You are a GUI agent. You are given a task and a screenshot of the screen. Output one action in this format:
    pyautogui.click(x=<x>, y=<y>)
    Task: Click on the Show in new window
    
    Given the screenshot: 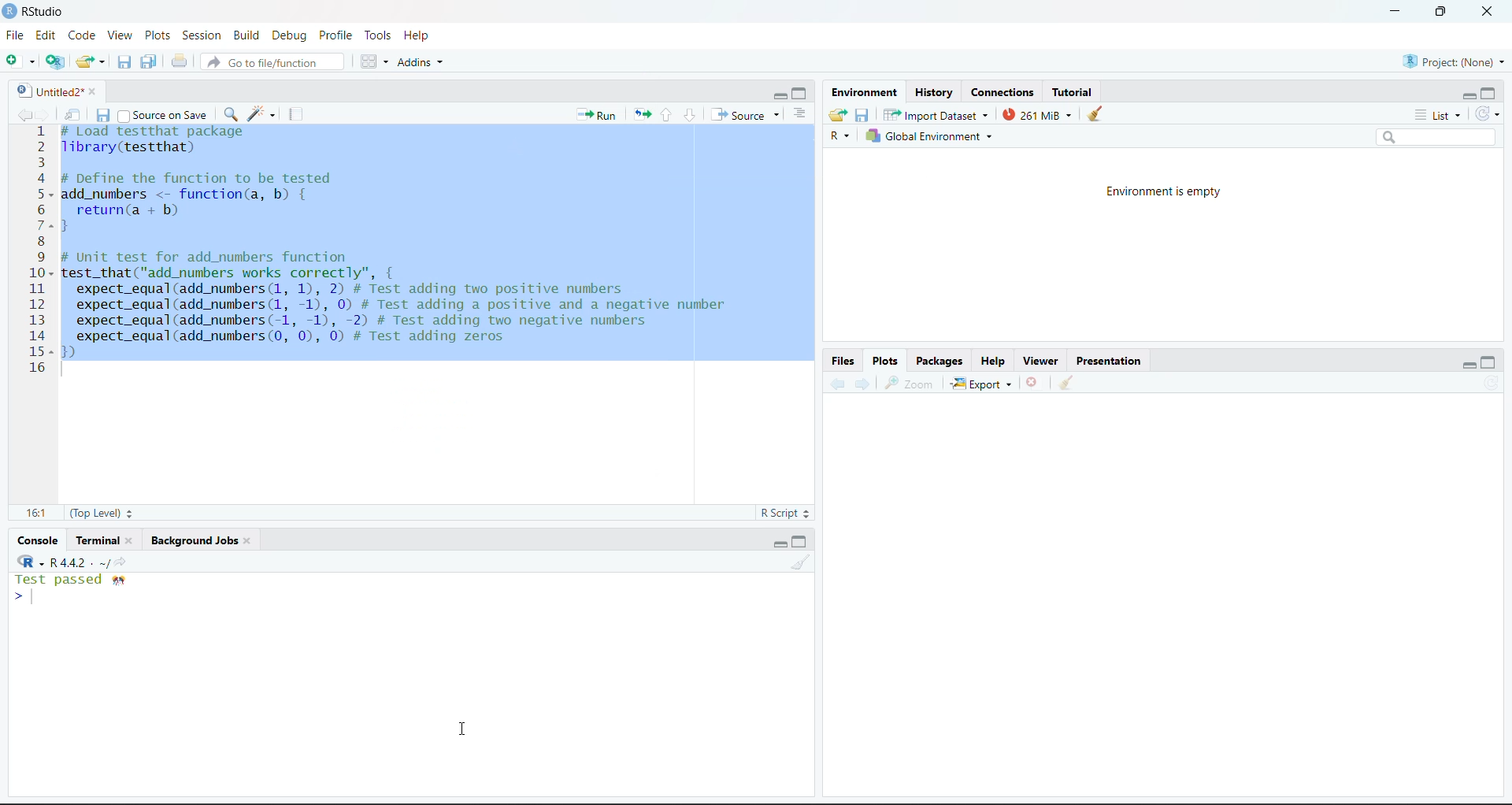 What is the action you would take?
    pyautogui.click(x=73, y=115)
    